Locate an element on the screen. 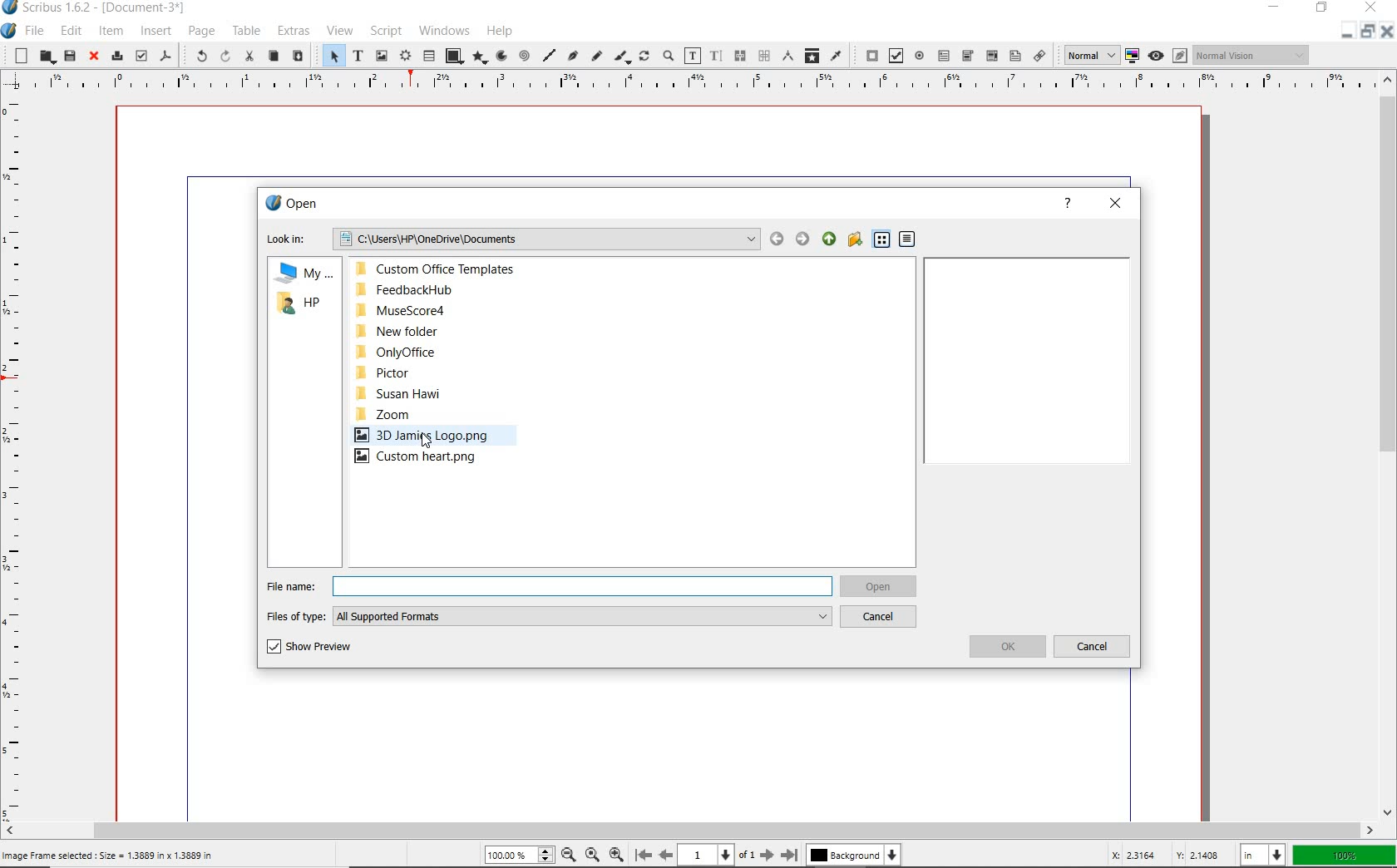 The height and width of the screenshot is (868, 1397). HELP is located at coordinates (1068, 206).